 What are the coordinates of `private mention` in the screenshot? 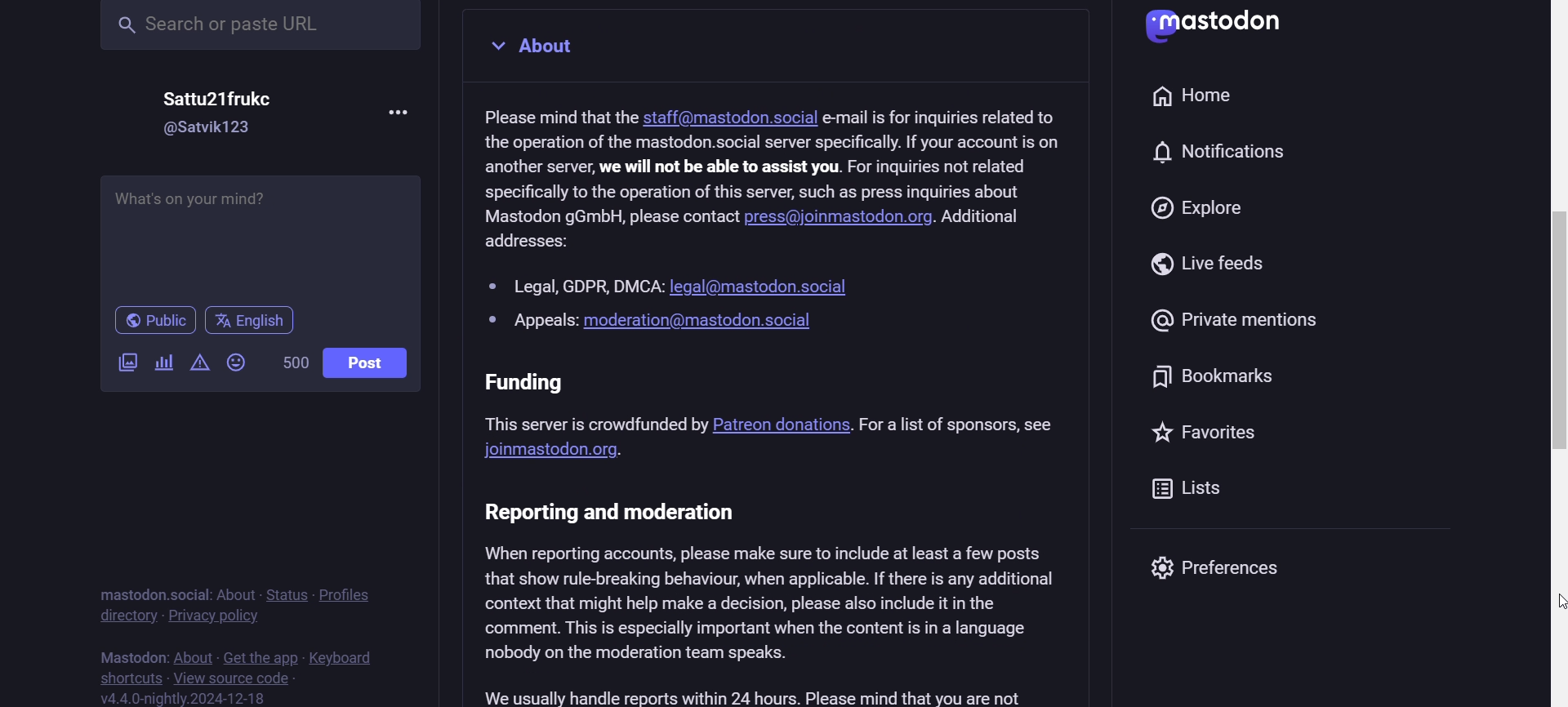 It's located at (1243, 324).